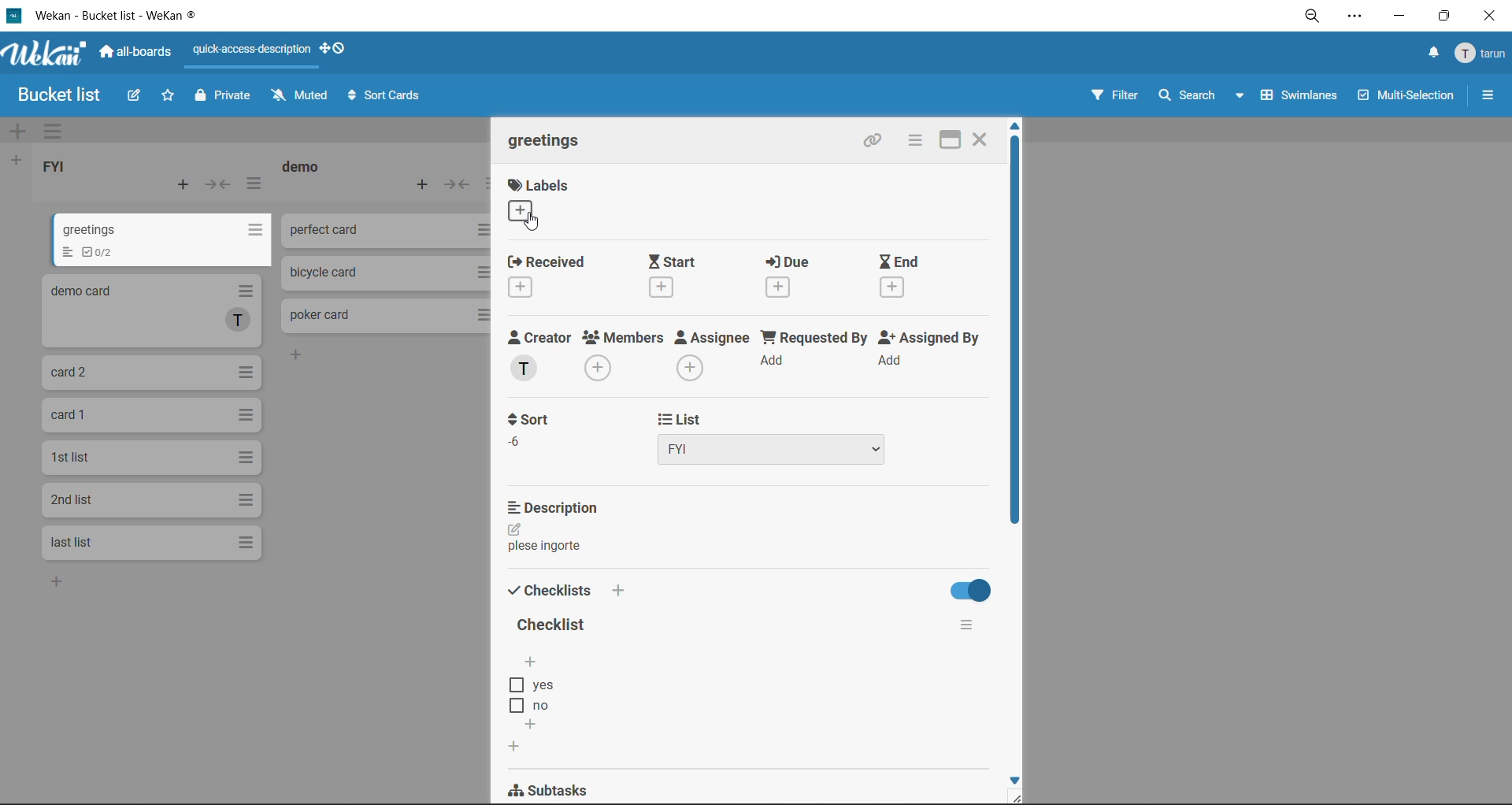  Describe the element at coordinates (1297, 98) in the screenshot. I see `swimlanes` at that location.